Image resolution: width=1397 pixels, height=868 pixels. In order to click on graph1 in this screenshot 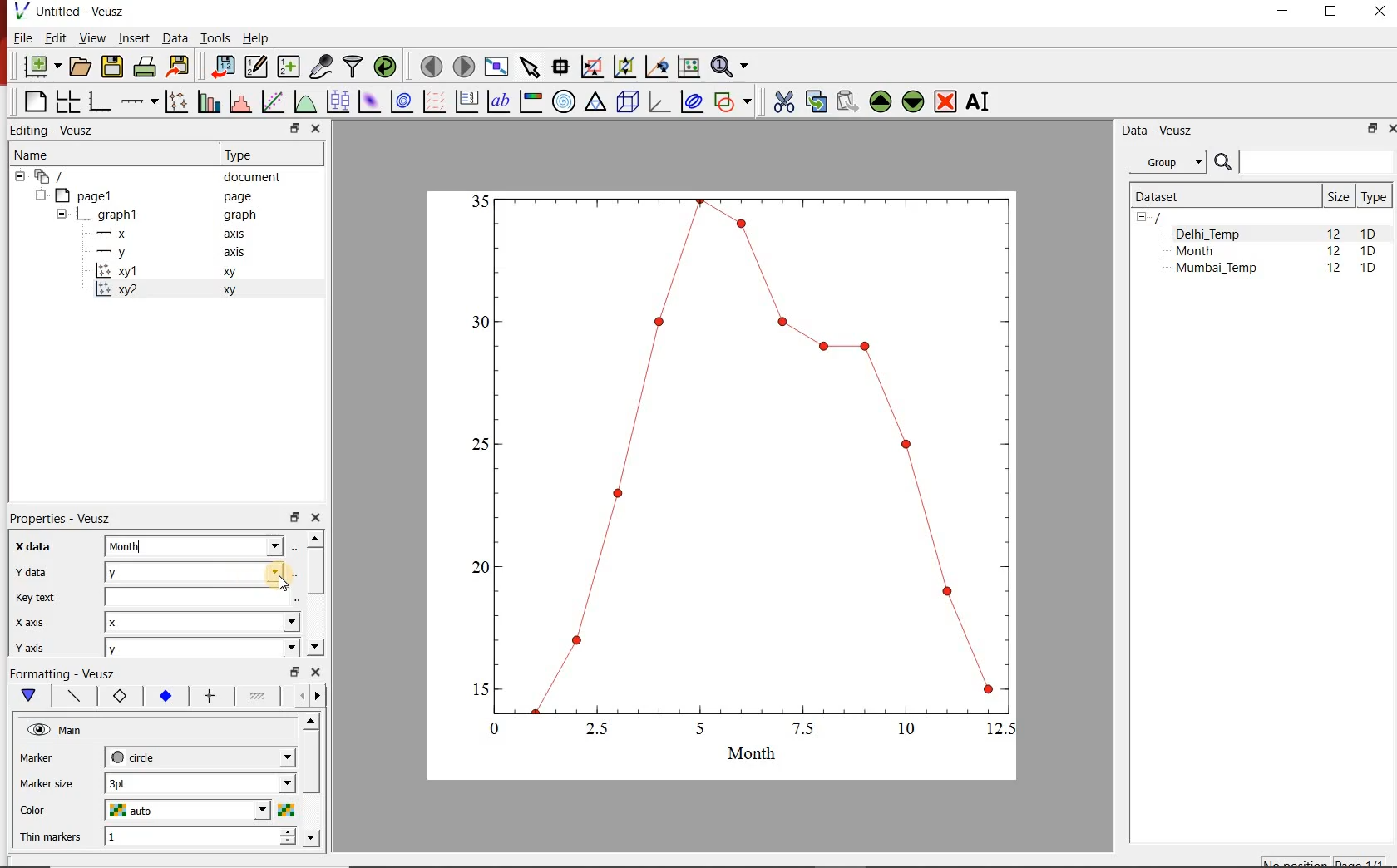, I will do `click(158, 215)`.